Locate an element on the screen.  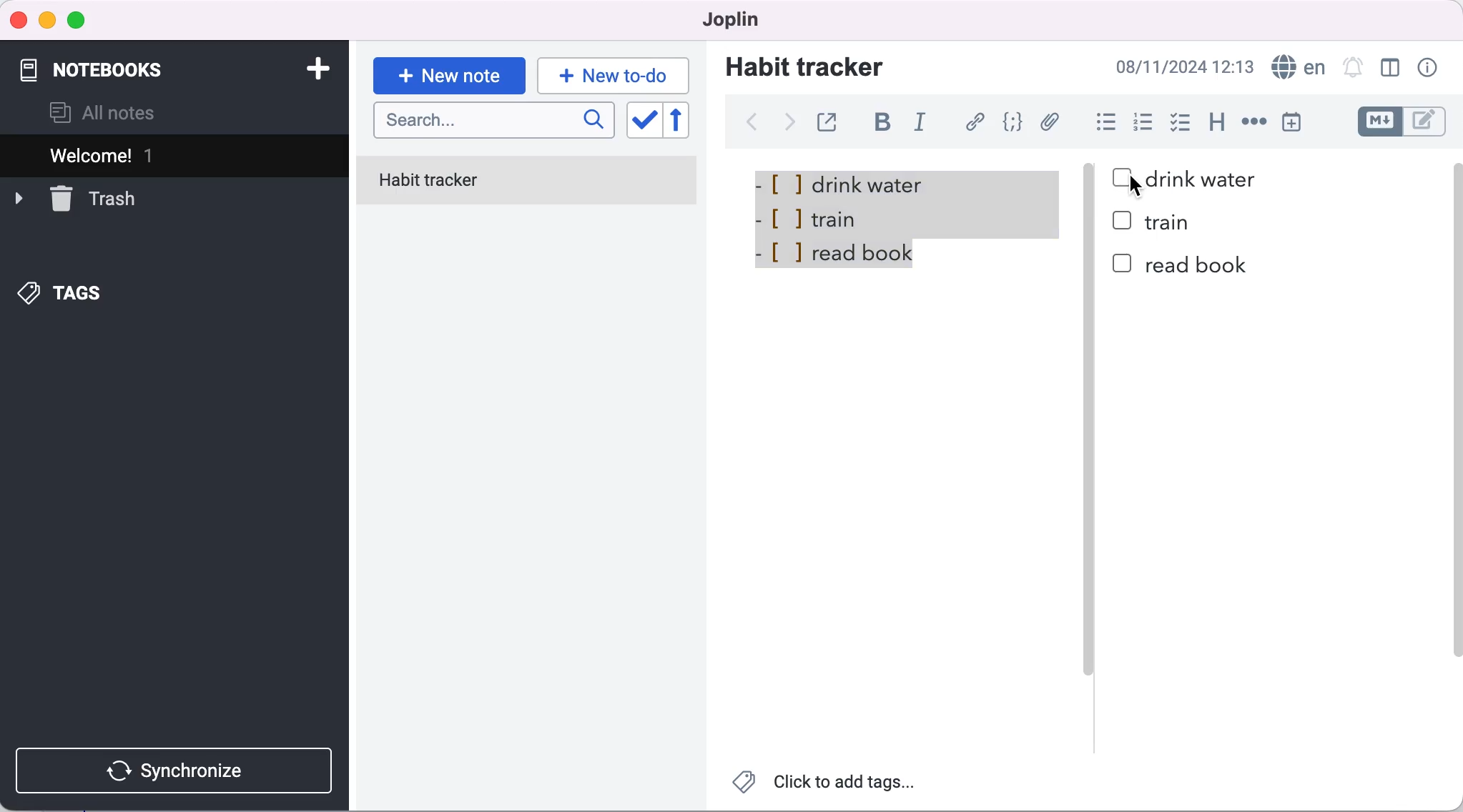
check box 3 is located at coordinates (1123, 264).